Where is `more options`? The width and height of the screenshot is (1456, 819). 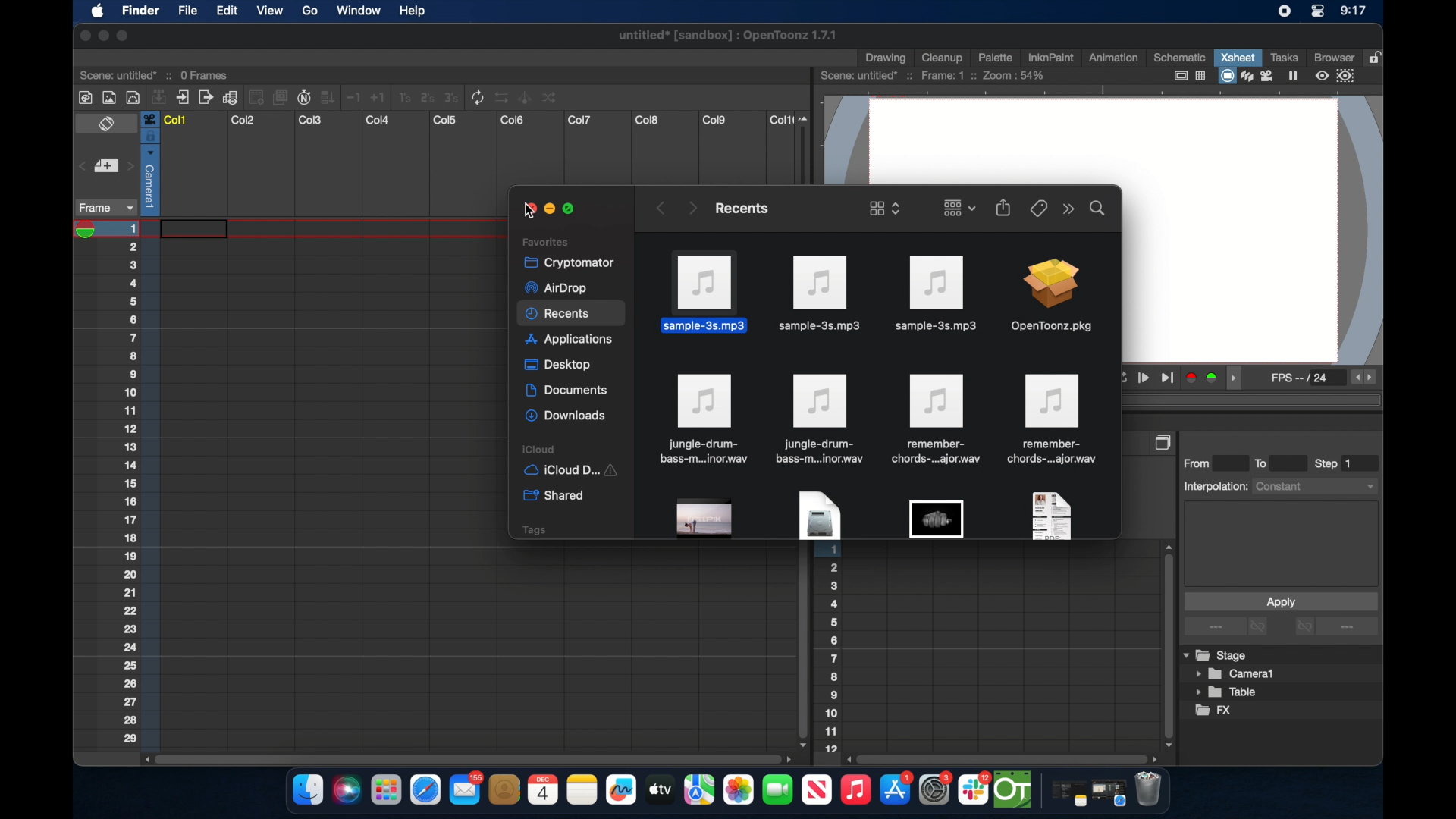
more options is located at coordinates (1336, 628).